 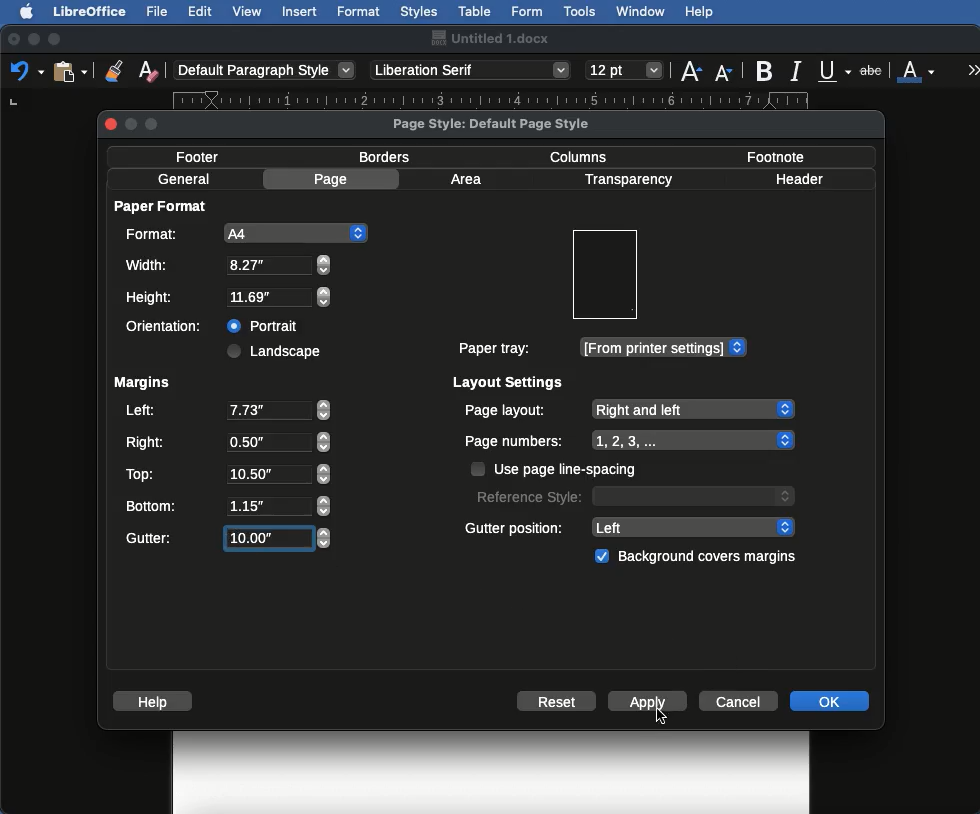 I want to click on Bottom, so click(x=227, y=504).